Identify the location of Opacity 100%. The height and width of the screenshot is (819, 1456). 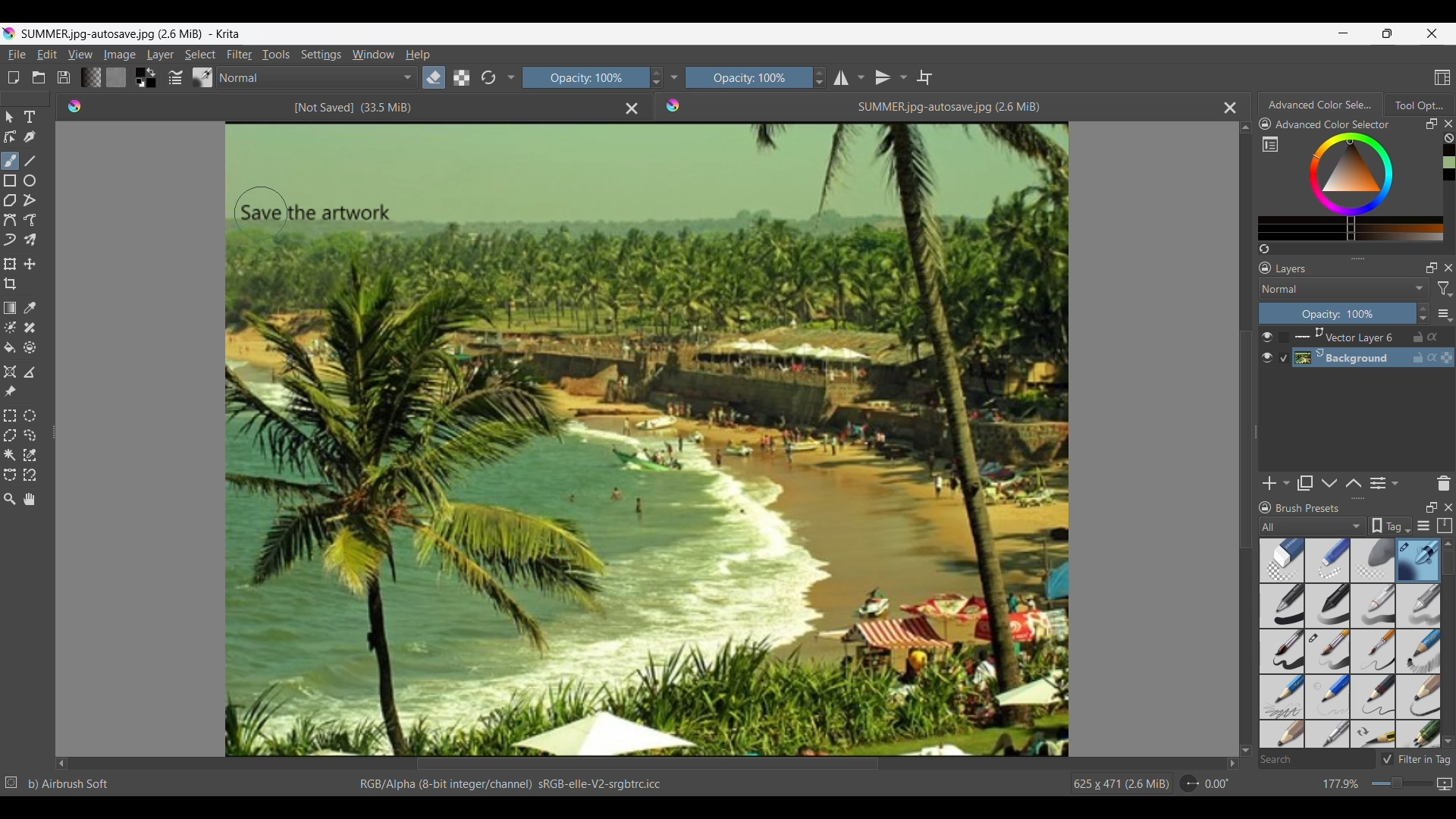
(583, 78).